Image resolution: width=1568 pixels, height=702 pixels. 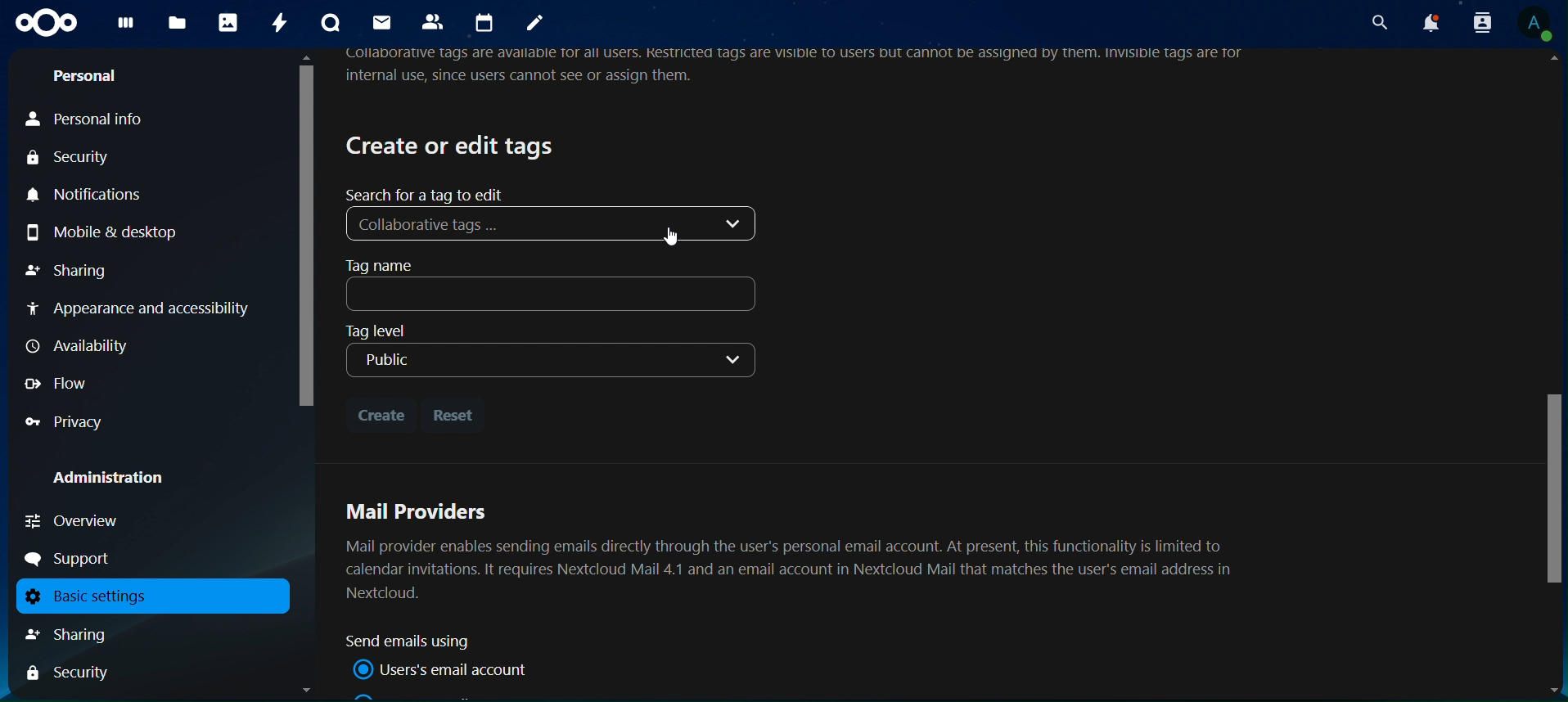 I want to click on sharing, so click(x=85, y=634).